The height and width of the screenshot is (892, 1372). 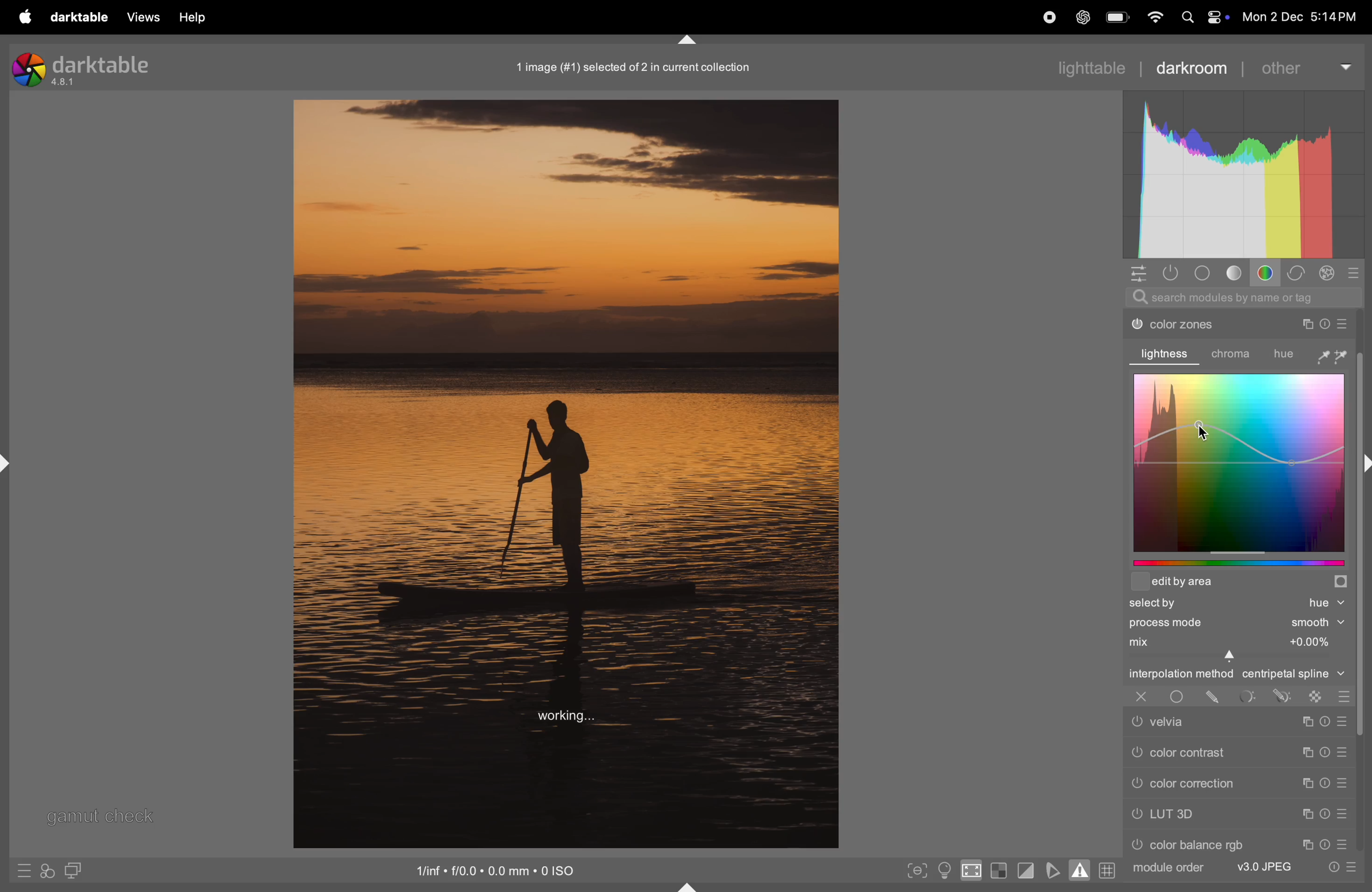 I want to click on apple menu, so click(x=25, y=17).